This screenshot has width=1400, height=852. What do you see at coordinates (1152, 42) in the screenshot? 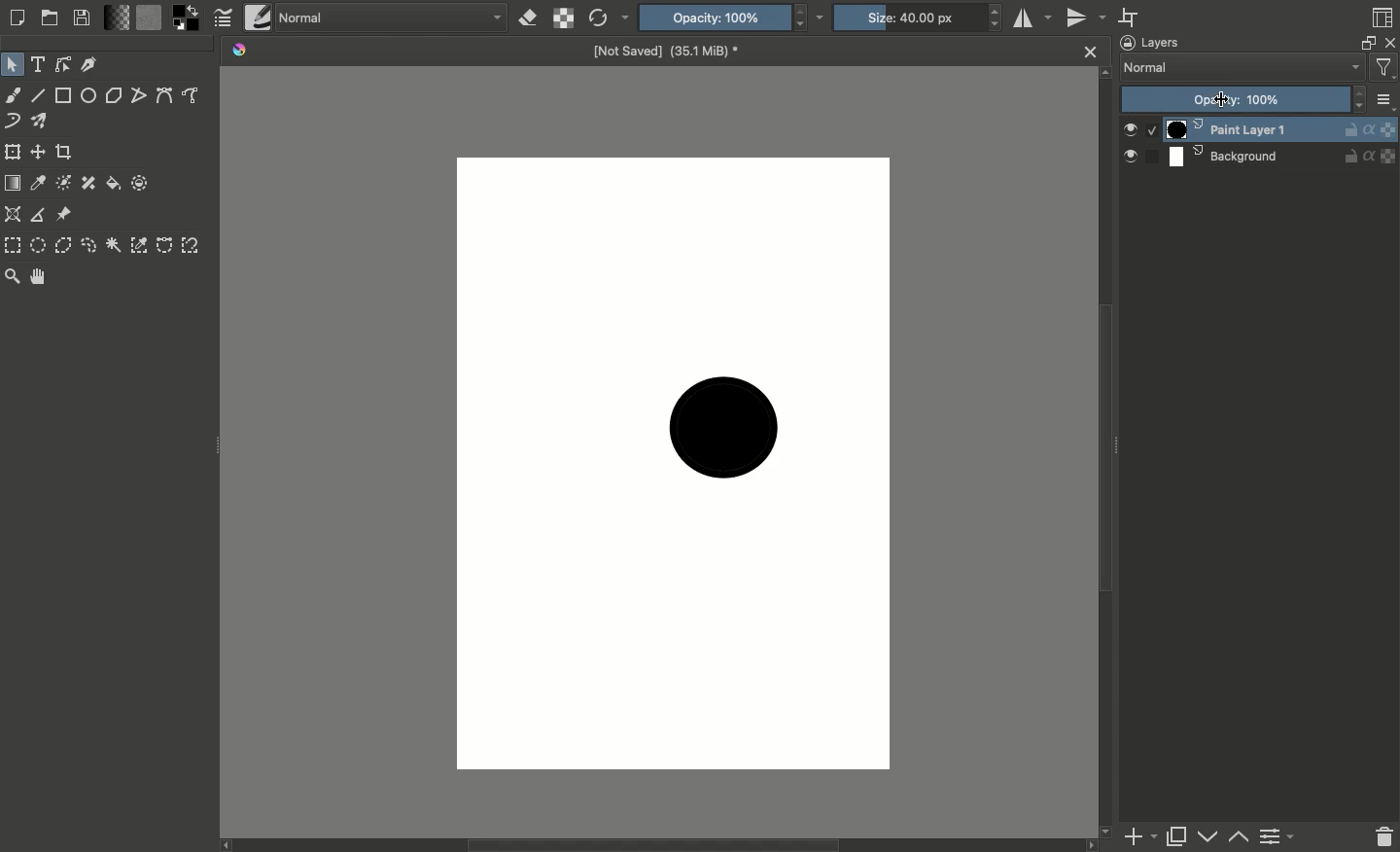
I see `Layers` at bounding box center [1152, 42].